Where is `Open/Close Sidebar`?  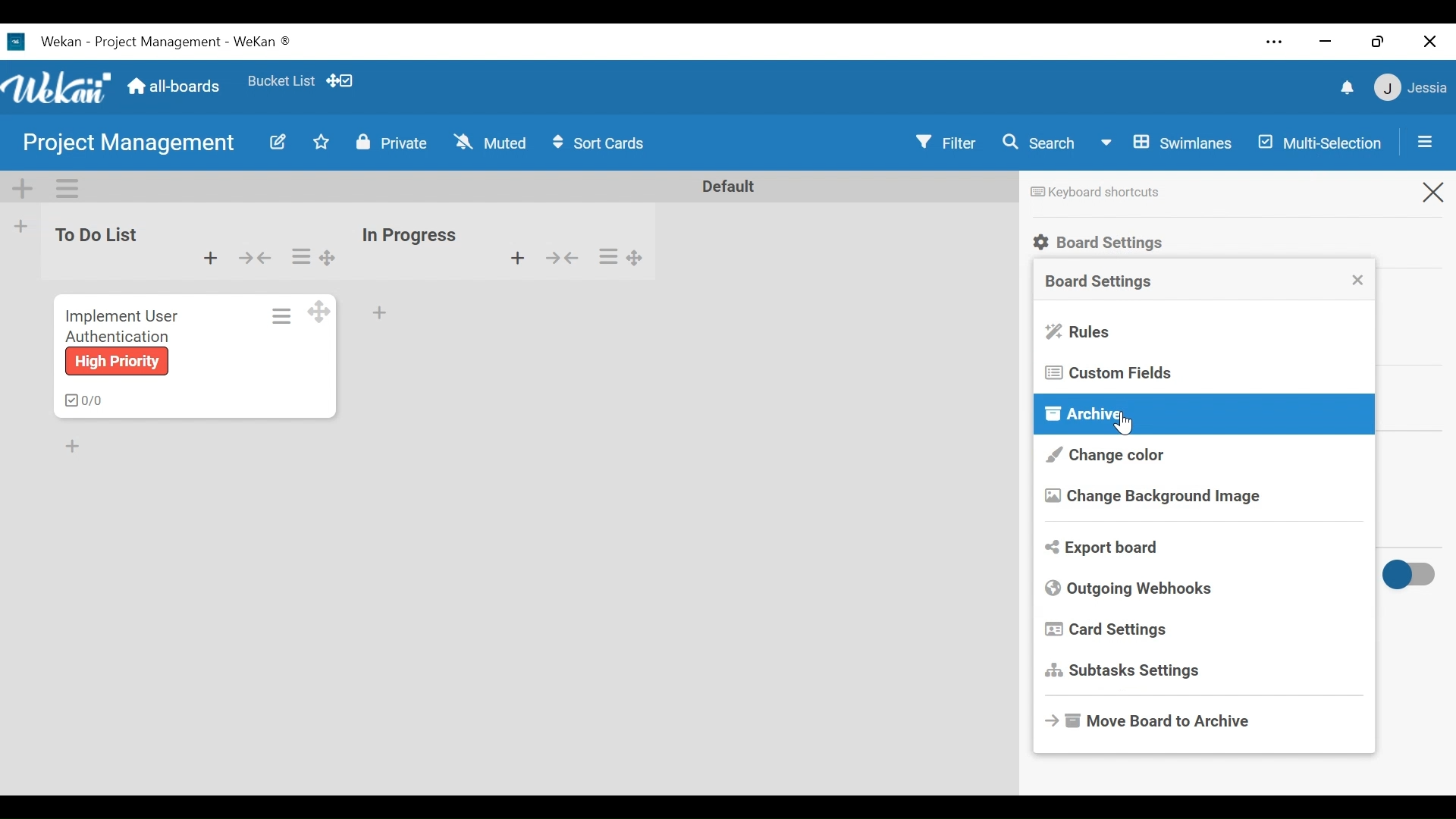
Open/Close Sidebar is located at coordinates (1423, 142).